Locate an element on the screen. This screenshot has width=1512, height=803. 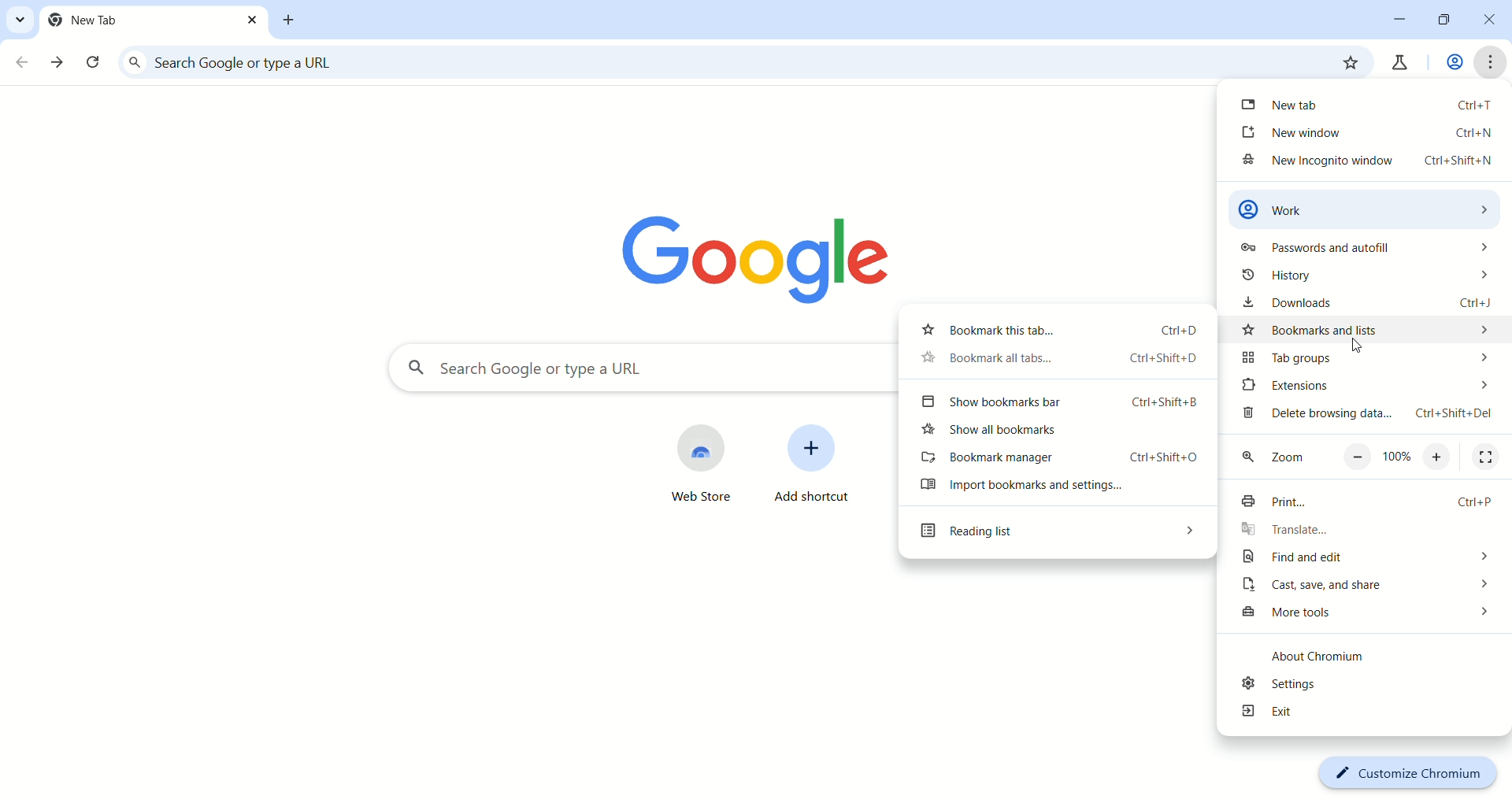
cursor is located at coordinates (1358, 347).